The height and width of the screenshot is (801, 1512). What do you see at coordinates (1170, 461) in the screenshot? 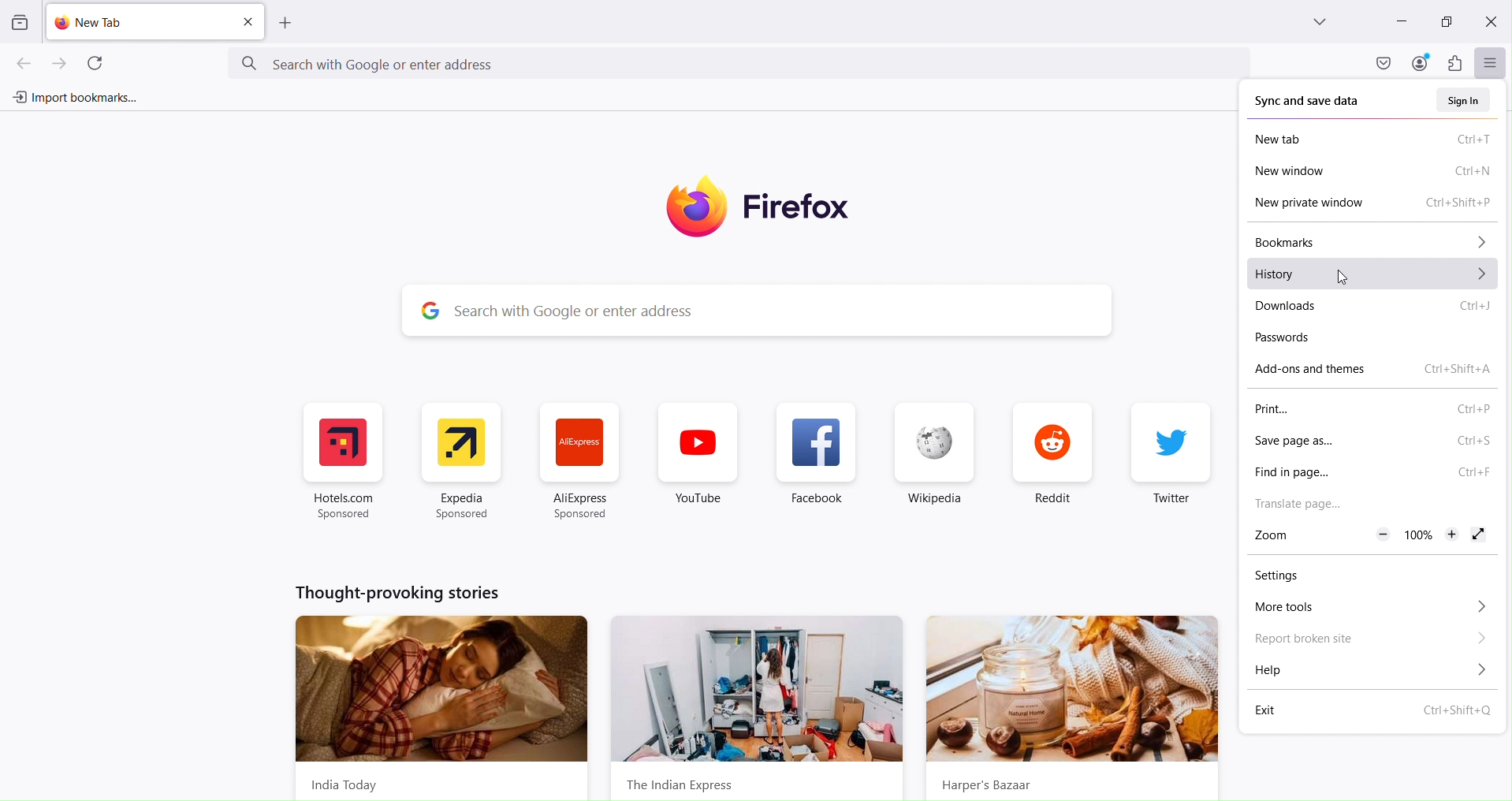
I see `Twitter Shortcut` at bounding box center [1170, 461].